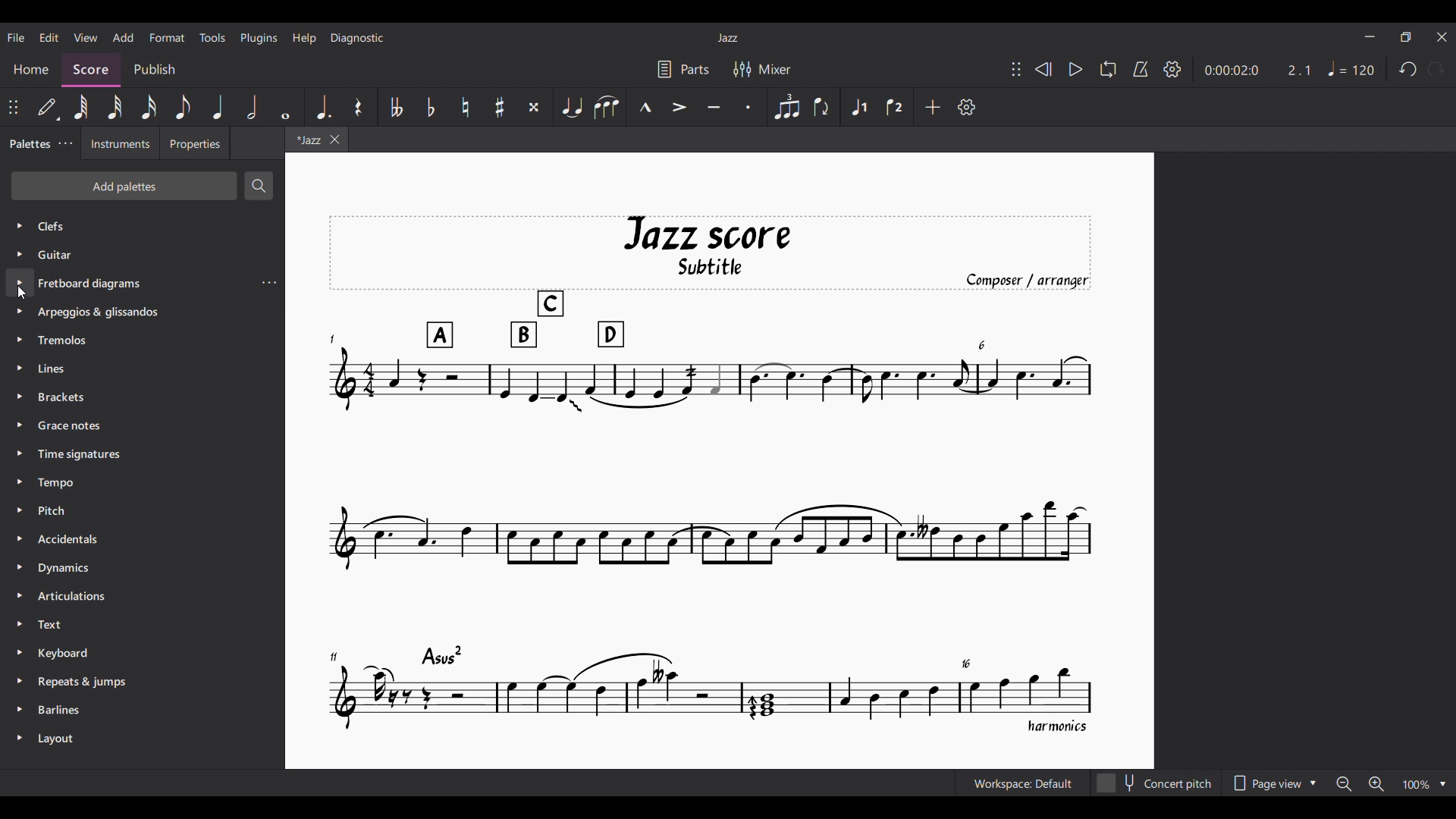 The width and height of the screenshot is (1456, 819). What do you see at coordinates (859, 106) in the screenshot?
I see `Voice 1` at bounding box center [859, 106].